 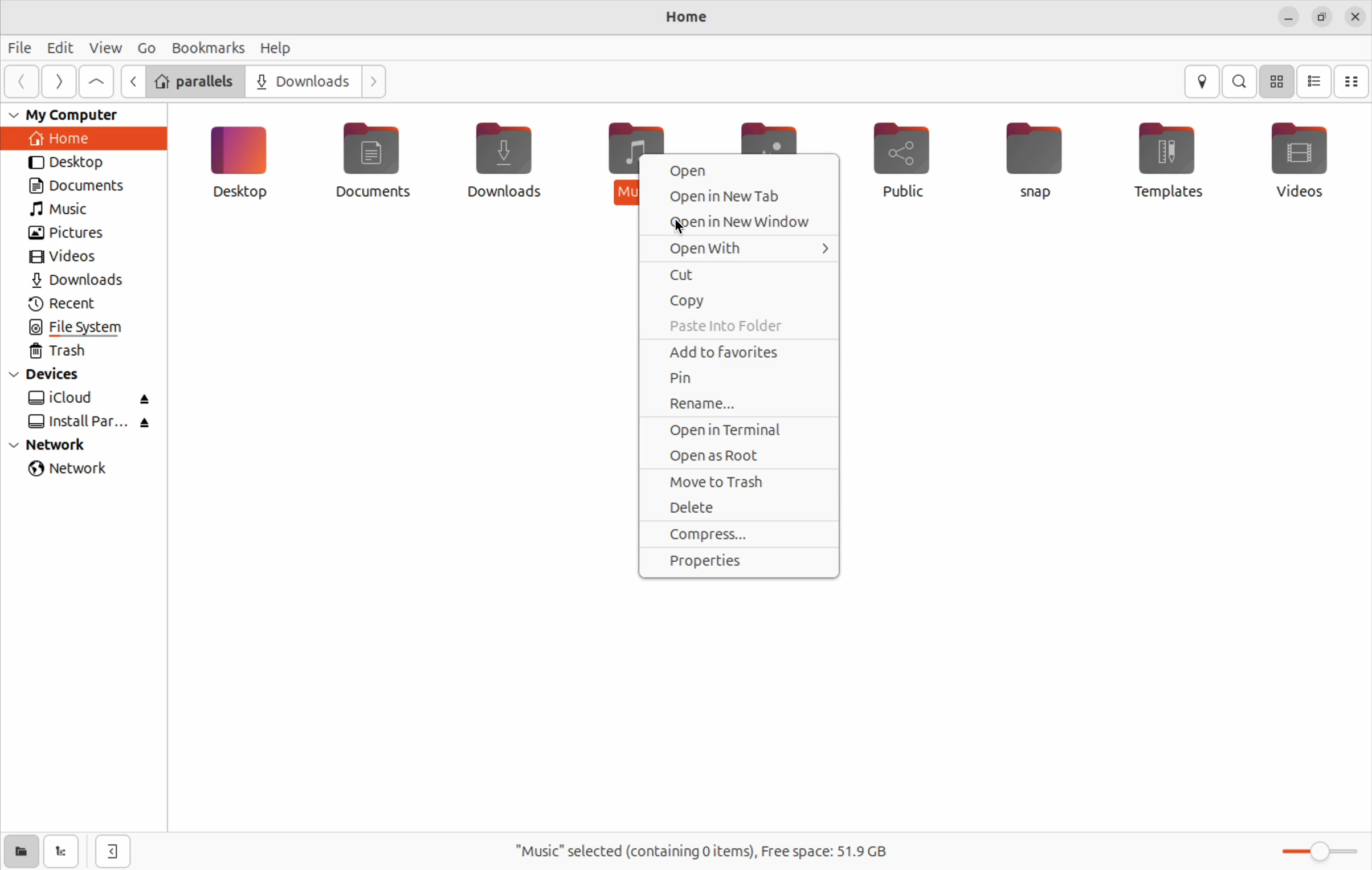 I want to click on file system, so click(x=81, y=328).